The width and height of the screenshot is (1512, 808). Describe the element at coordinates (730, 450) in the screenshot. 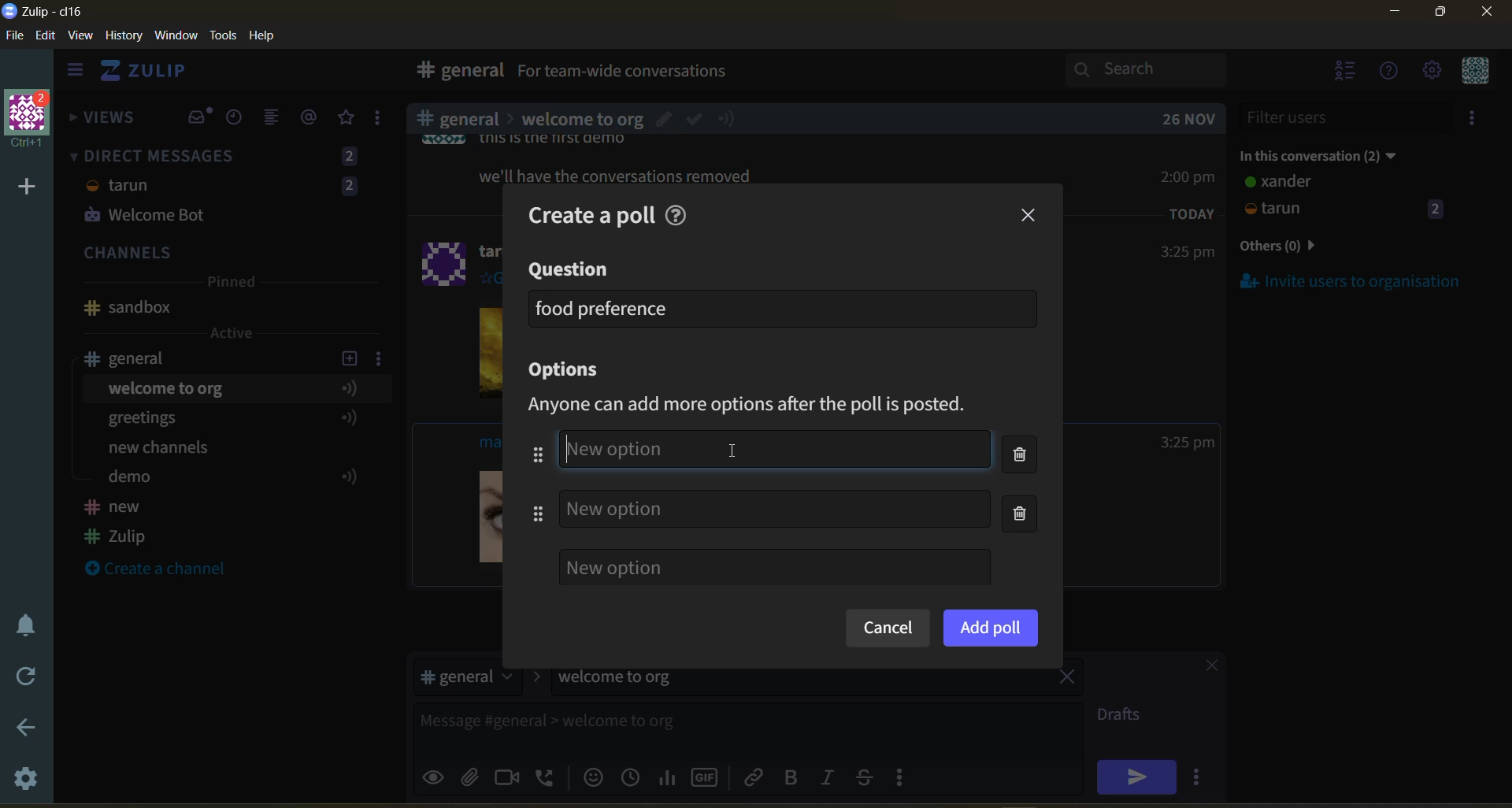

I see `cursor` at that location.